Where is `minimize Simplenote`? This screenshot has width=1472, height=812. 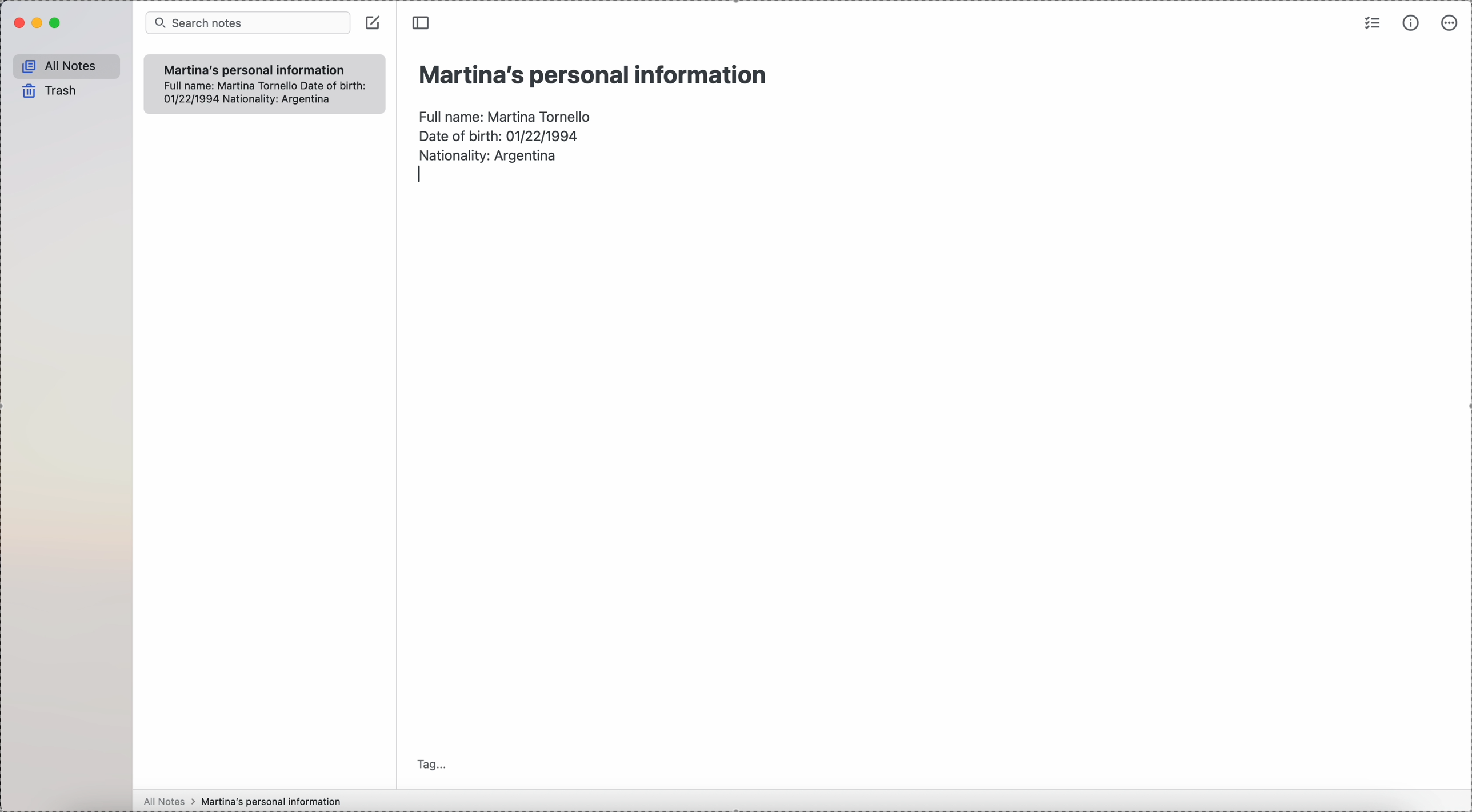 minimize Simplenote is located at coordinates (39, 23).